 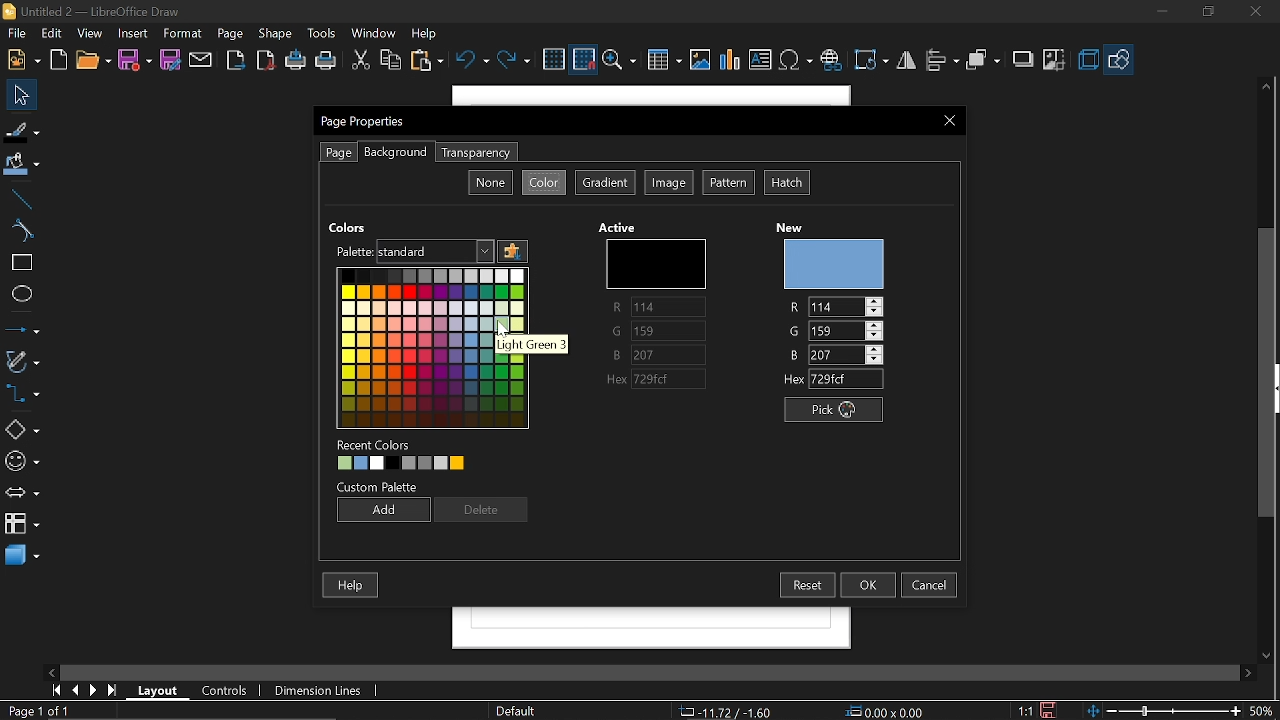 I want to click on G, so click(x=658, y=333).